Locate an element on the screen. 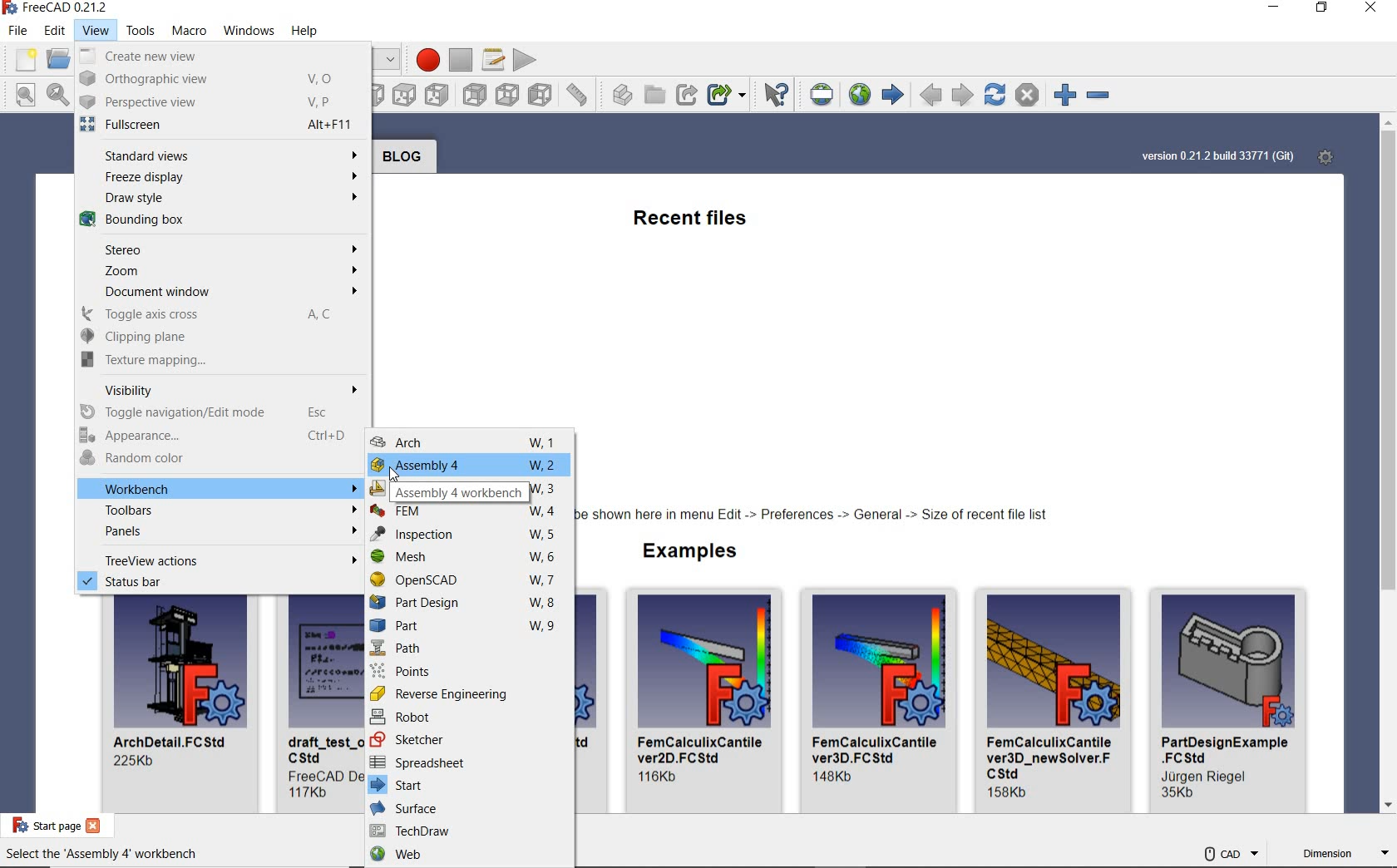 This screenshot has width=1397, height=868. toolbars is located at coordinates (220, 512).